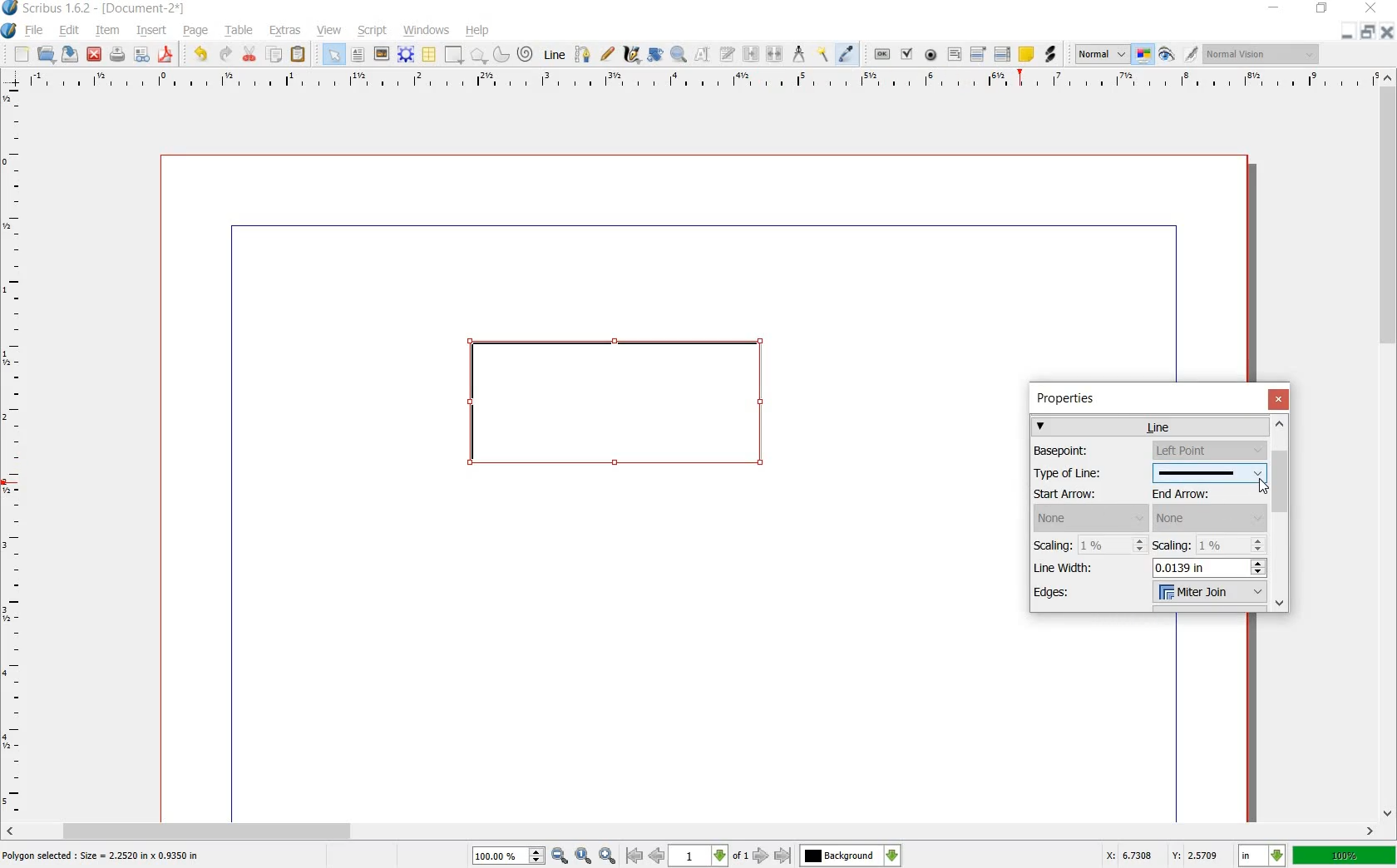  What do you see at coordinates (226, 55) in the screenshot?
I see `REDO` at bounding box center [226, 55].